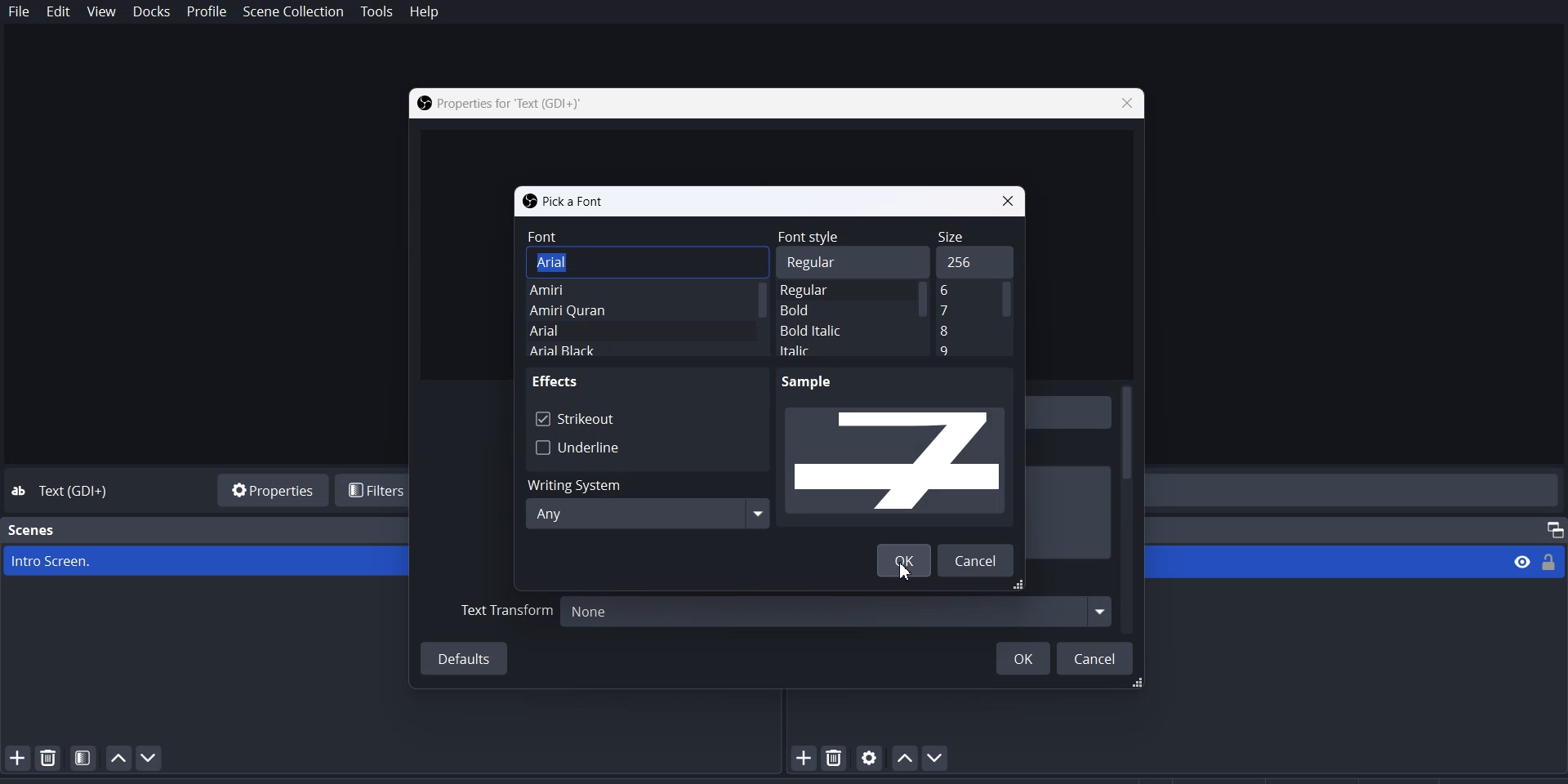  Describe the element at coordinates (759, 322) in the screenshot. I see `Vertical Scroll bar` at that location.